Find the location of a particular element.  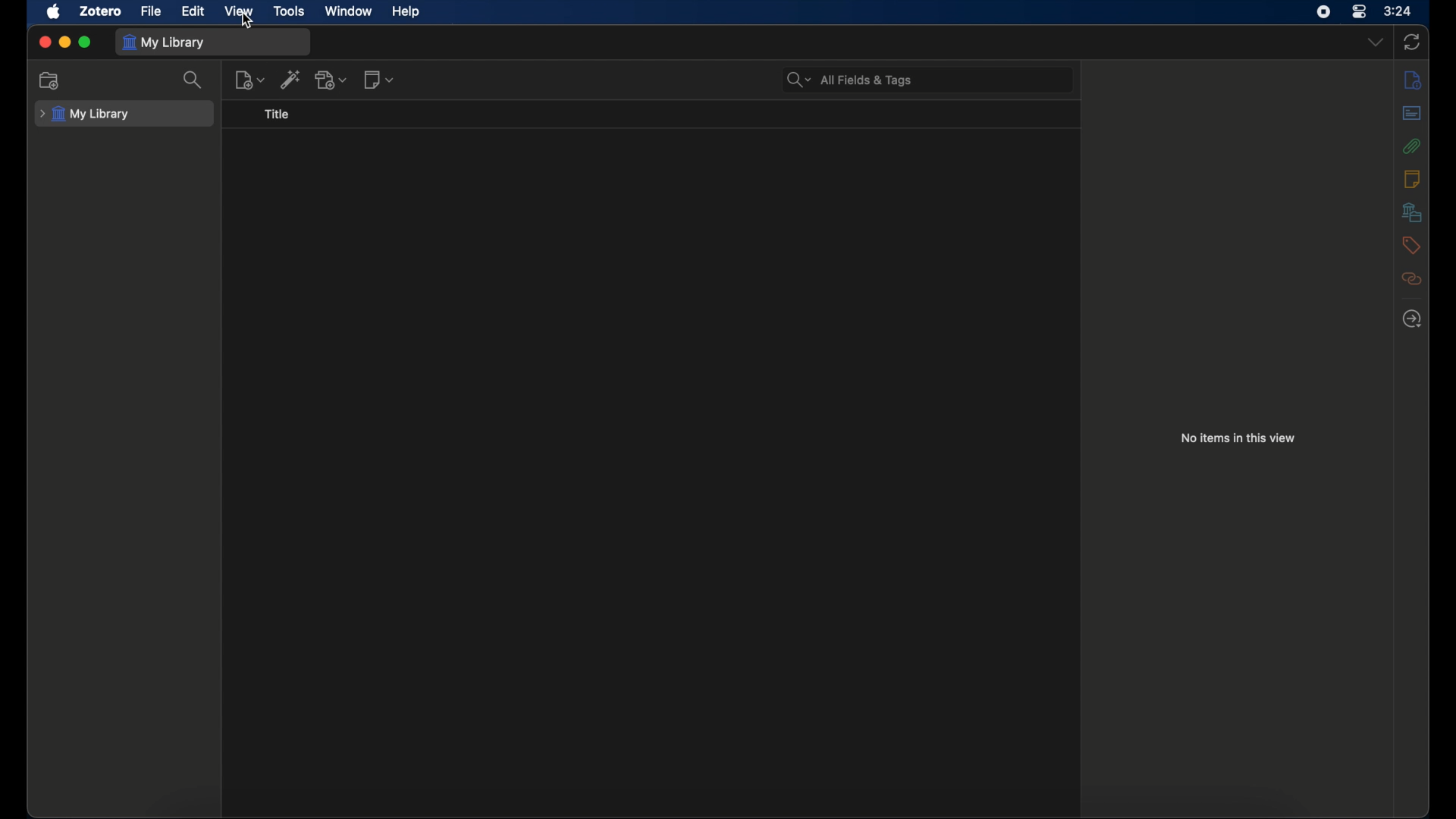

Cursor is located at coordinates (246, 22).